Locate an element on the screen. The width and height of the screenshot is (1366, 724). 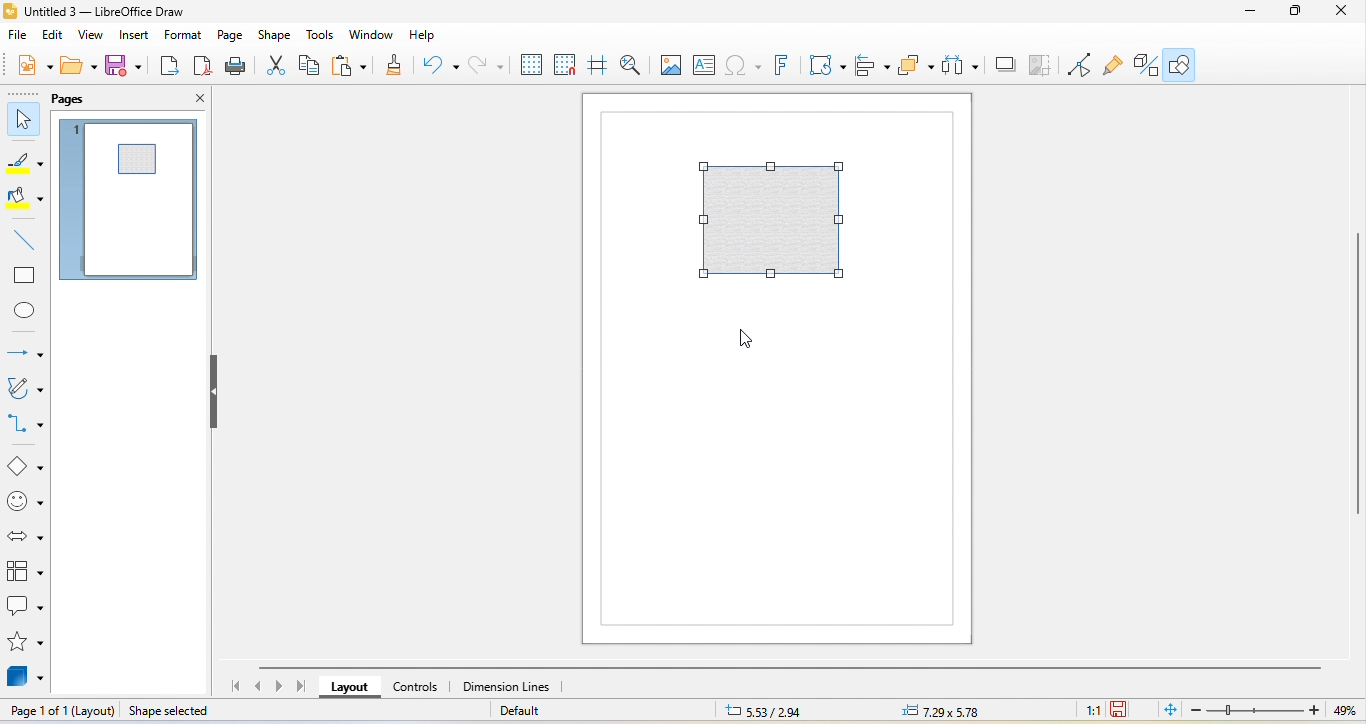
extrusion is located at coordinates (1149, 65).